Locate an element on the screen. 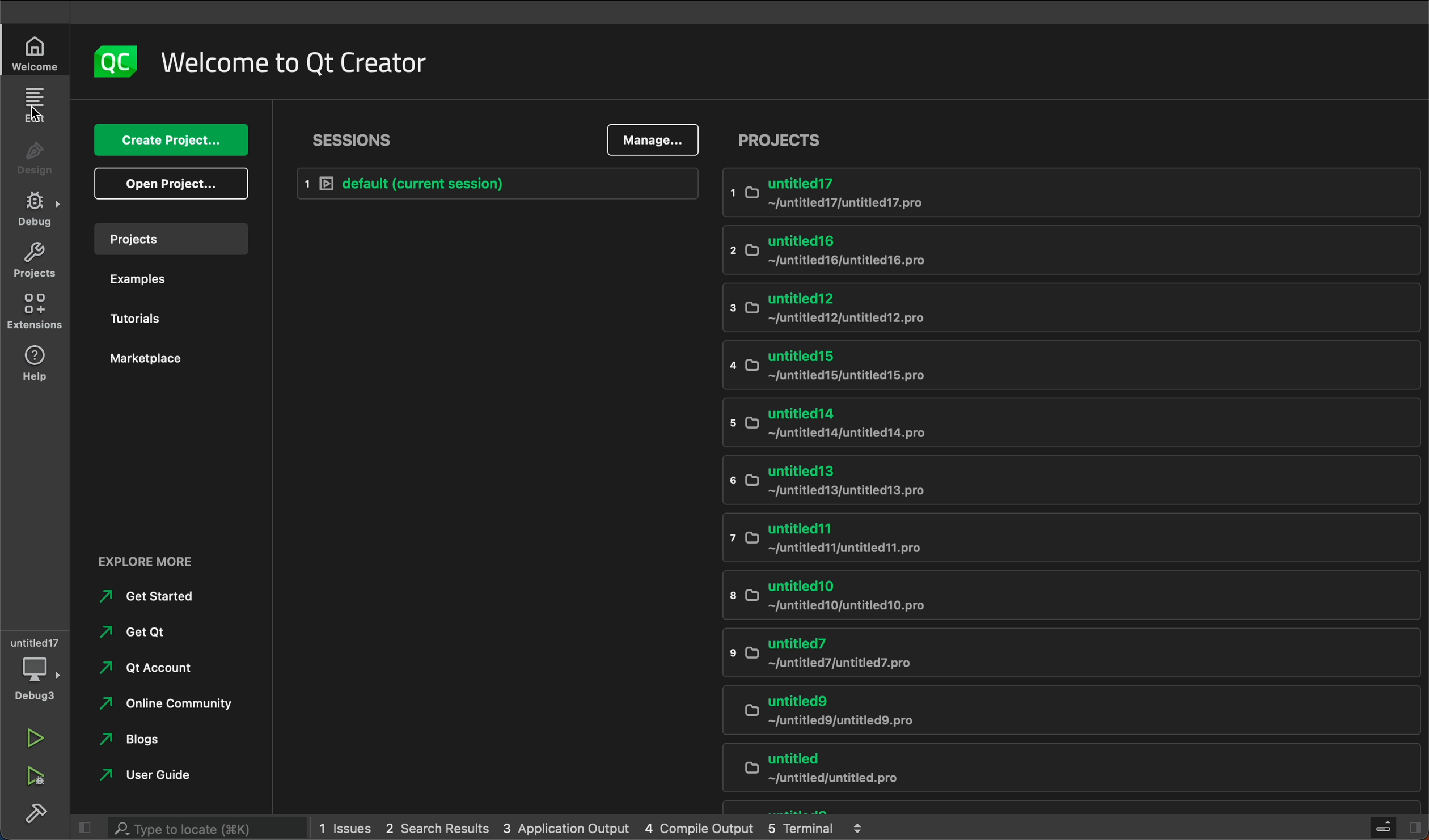 This screenshot has width=1429, height=840. icon is located at coordinates (113, 63).